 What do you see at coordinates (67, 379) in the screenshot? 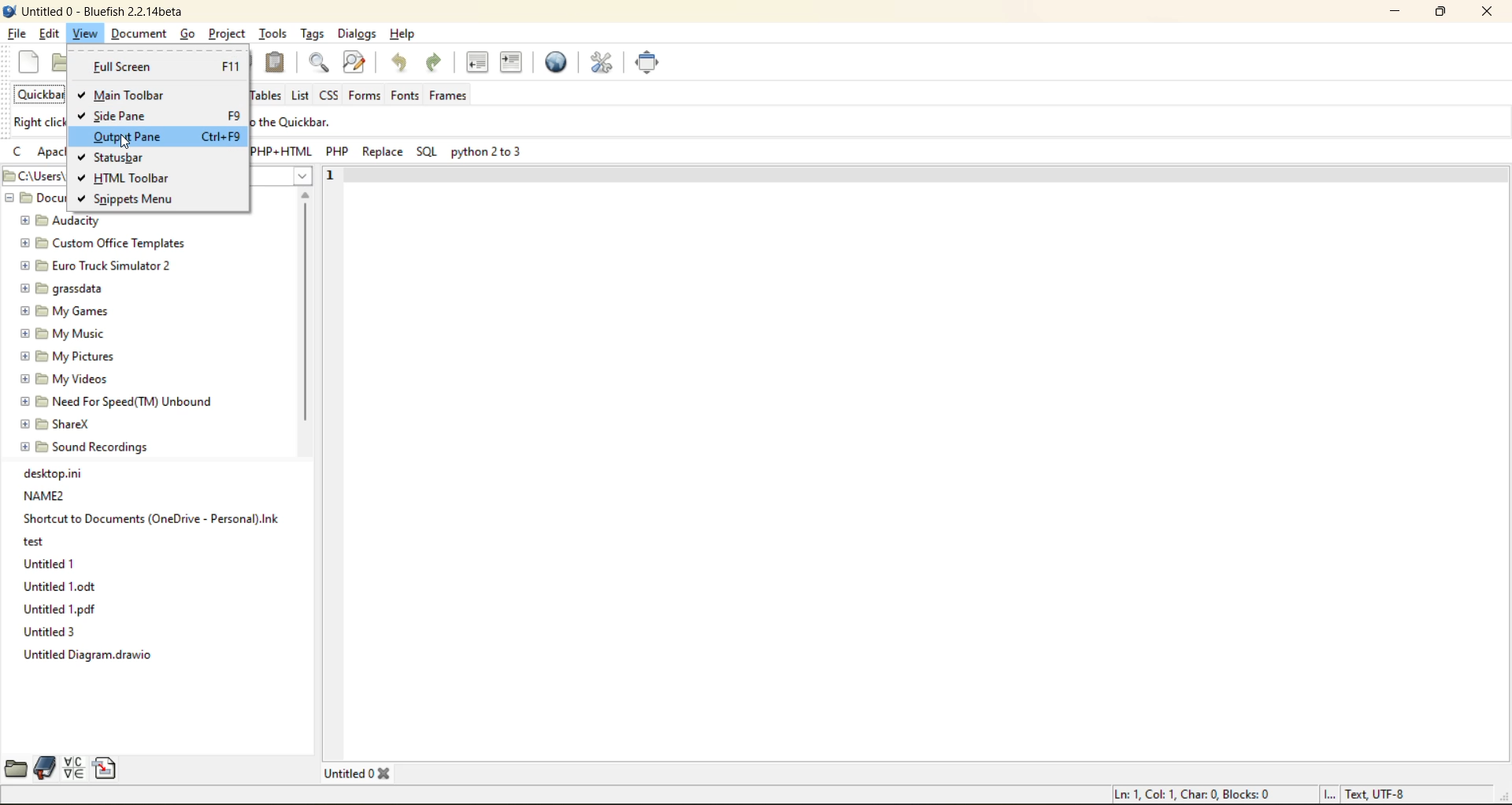
I see `My Videos` at bounding box center [67, 379].